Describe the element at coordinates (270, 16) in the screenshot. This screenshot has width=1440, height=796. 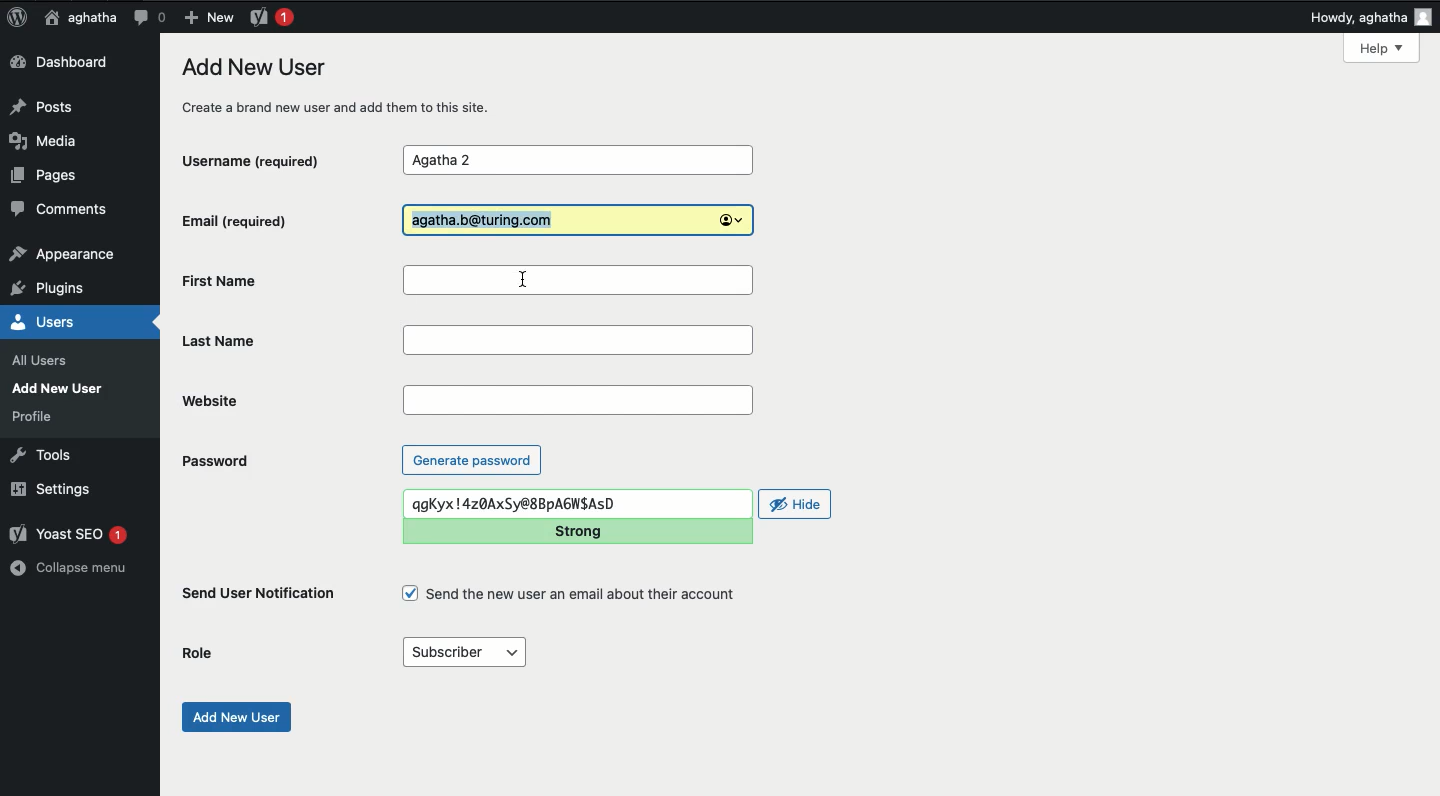
I see `Yoast` at that location.